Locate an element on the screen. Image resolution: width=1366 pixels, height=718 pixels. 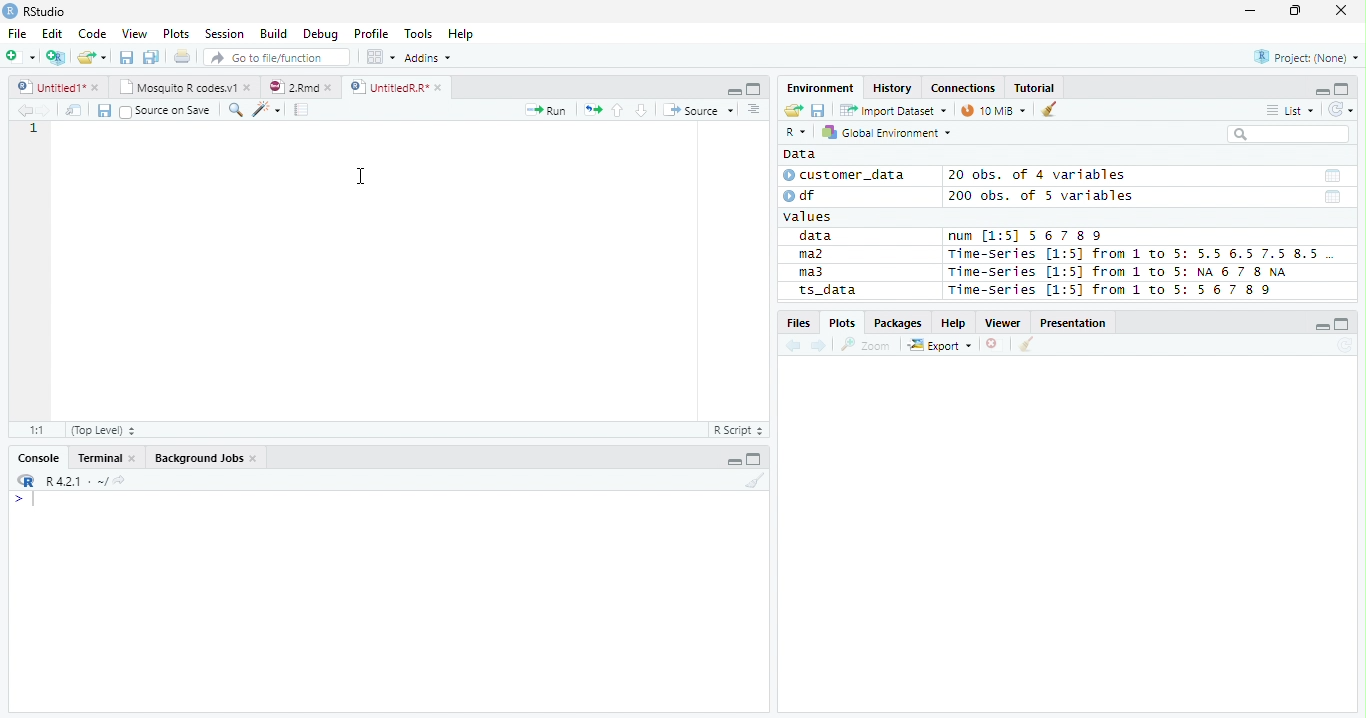
Save is located at coordinates (103, 110).